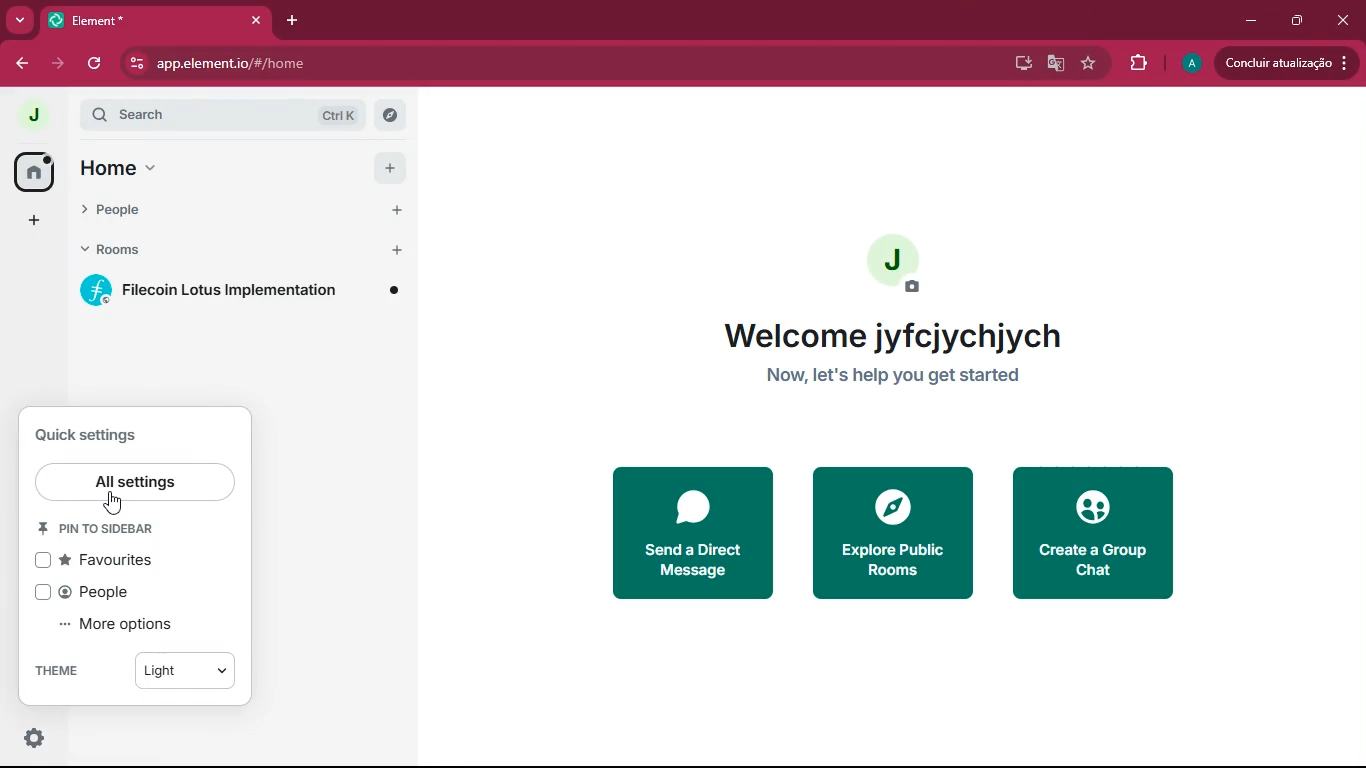  What do you see at coordinates (208, 114) in the screenshot?
I see `search ctrl + k` at bounding box center [208, 114].